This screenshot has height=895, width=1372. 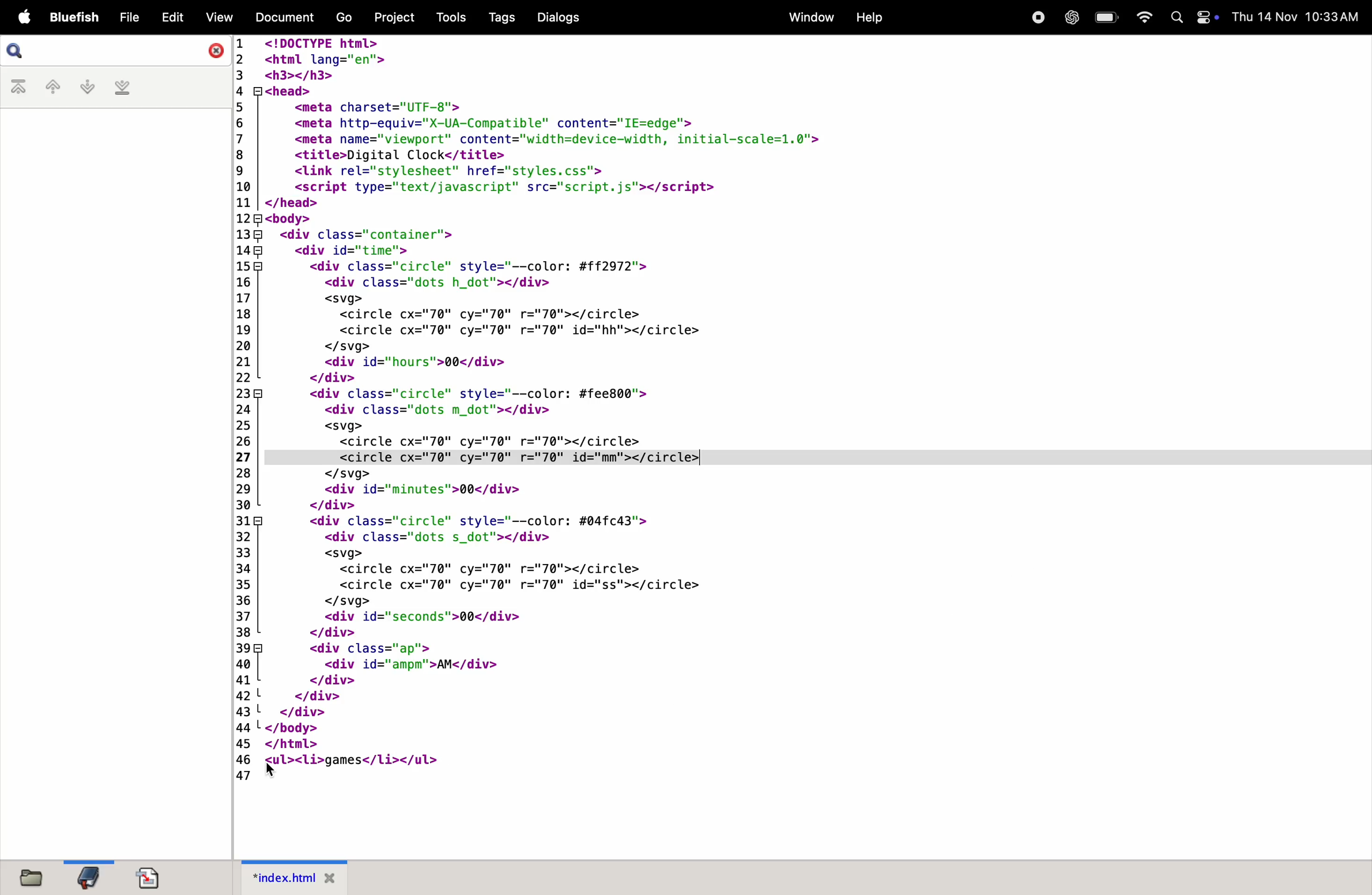 I want to click on Edit, so click(x=174, y=17).